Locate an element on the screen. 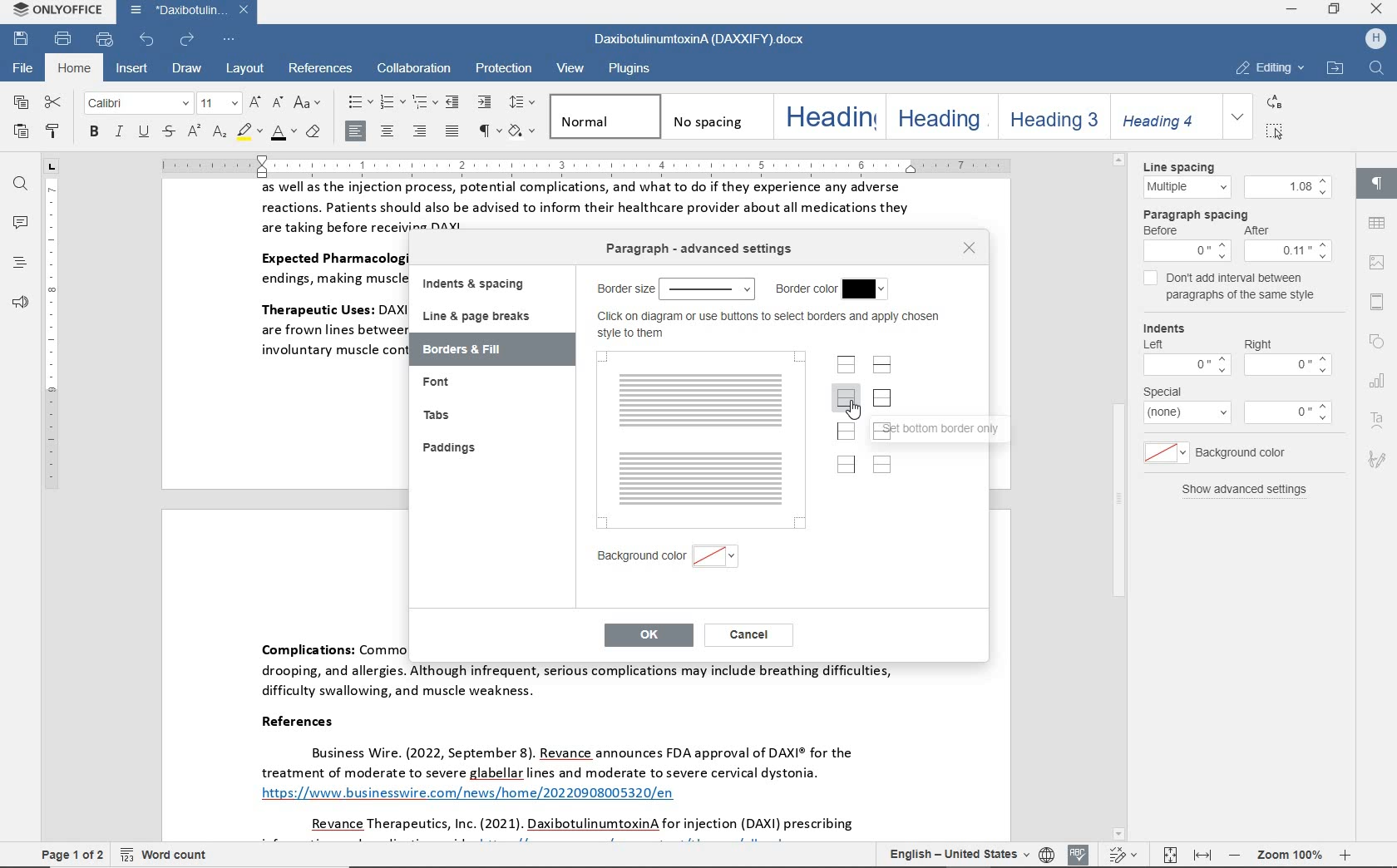  italic is located at coordinates (119, 133).